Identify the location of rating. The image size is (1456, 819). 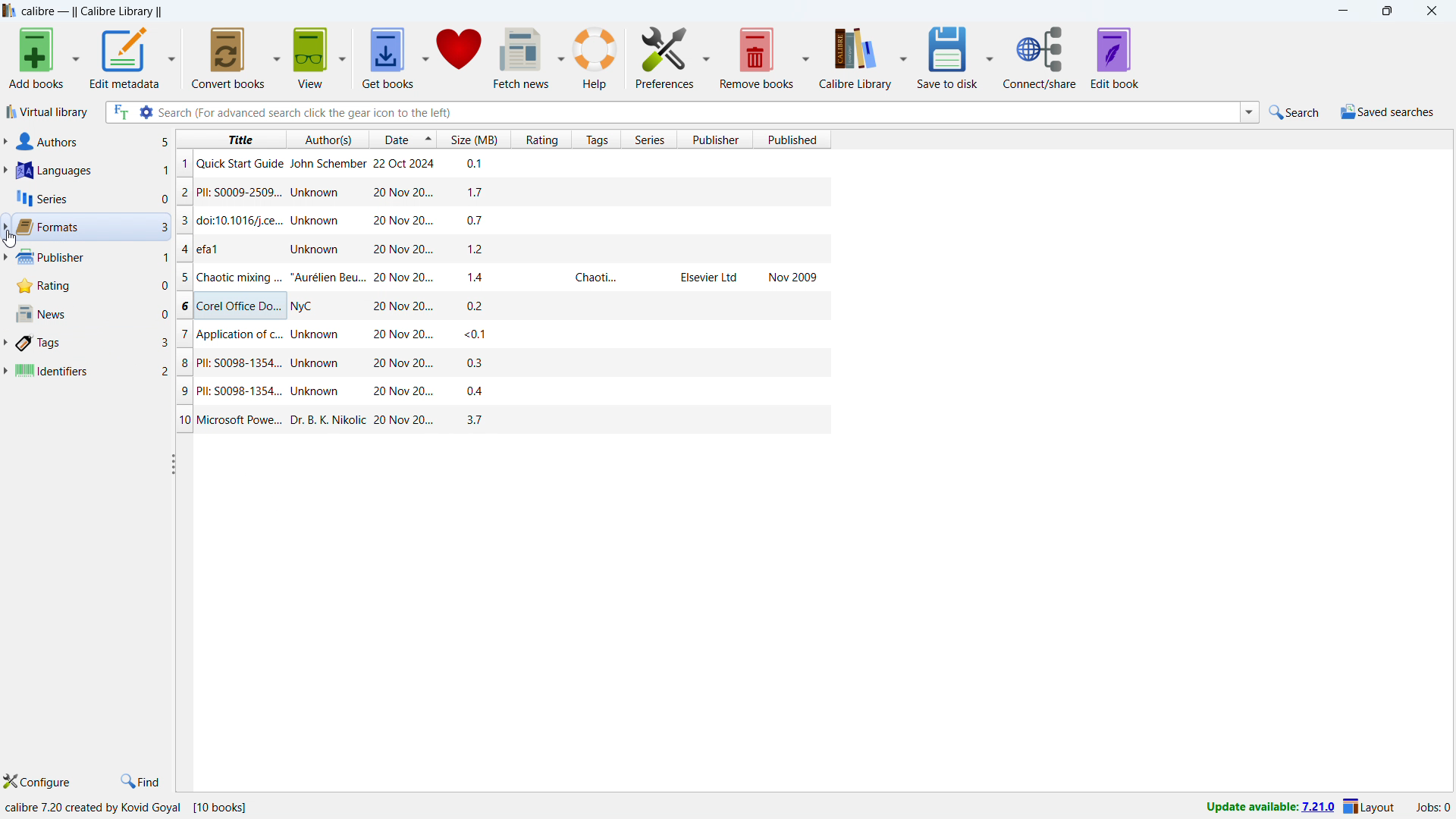
(91, 285).